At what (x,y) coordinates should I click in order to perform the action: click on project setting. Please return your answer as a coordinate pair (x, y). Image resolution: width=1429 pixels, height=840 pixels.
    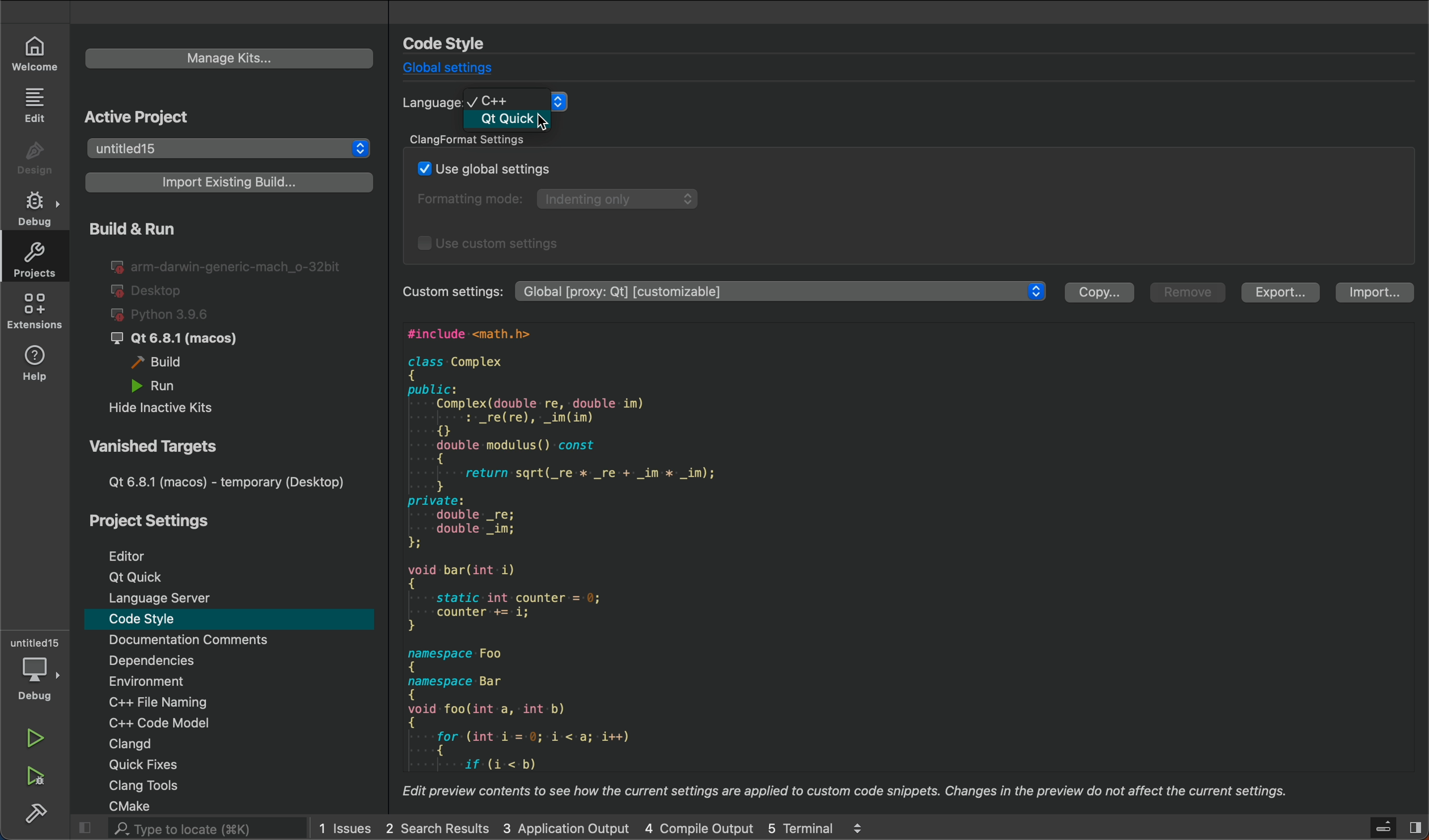
    Looking at the image, I should click on (156, 522).